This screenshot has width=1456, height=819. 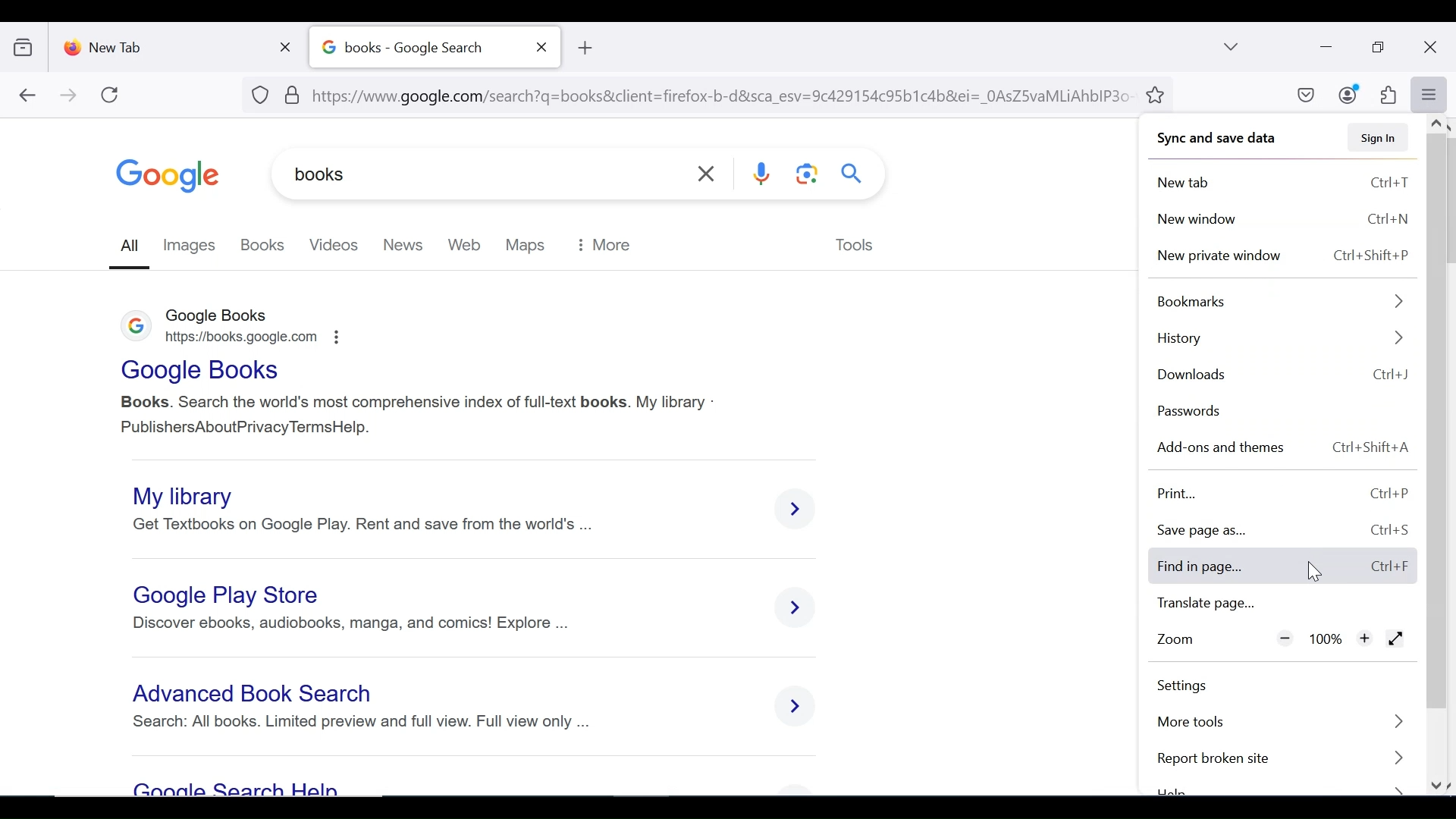 What do you see at coordinates (527, 244) in the screenshot?
I see `maps` at bounding box center [527, 244].